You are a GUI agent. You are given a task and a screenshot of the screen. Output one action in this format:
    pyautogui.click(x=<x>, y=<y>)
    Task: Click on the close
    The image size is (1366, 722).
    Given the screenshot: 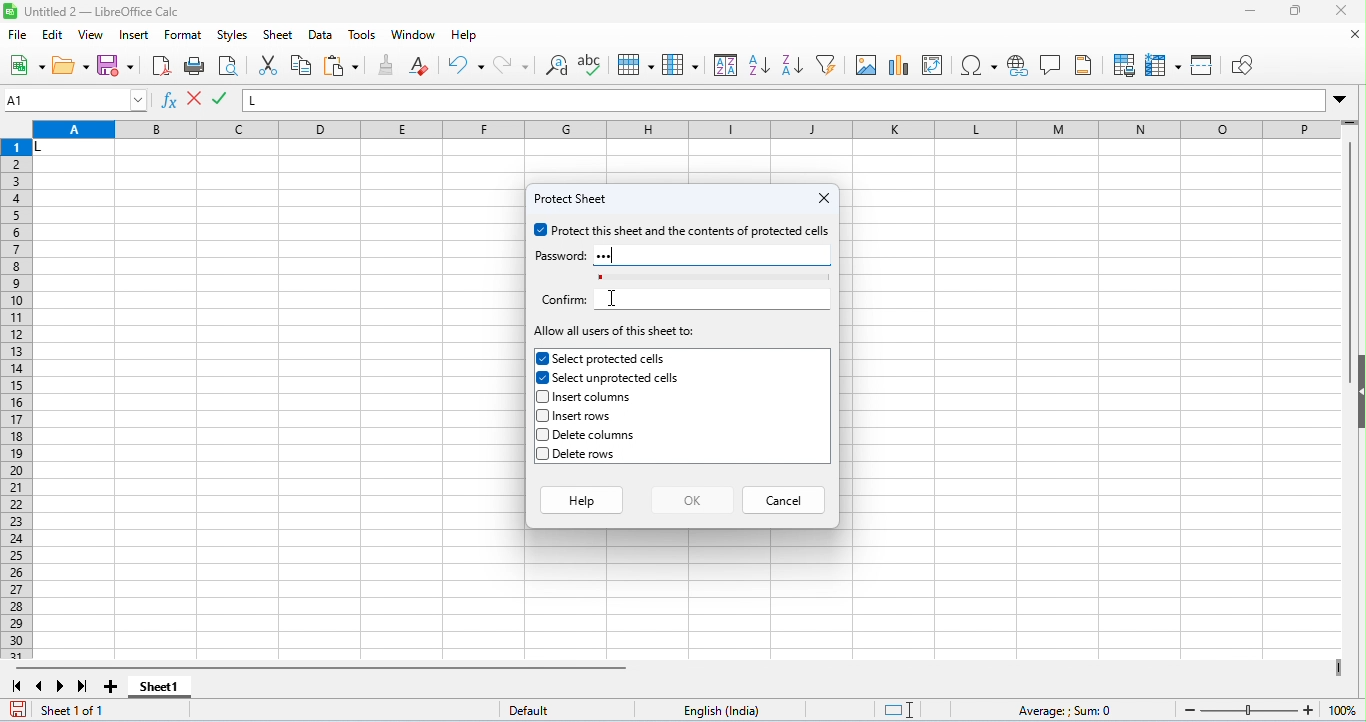 What is the action you would take?
    pyautogui.click(x=823, y=198)
    